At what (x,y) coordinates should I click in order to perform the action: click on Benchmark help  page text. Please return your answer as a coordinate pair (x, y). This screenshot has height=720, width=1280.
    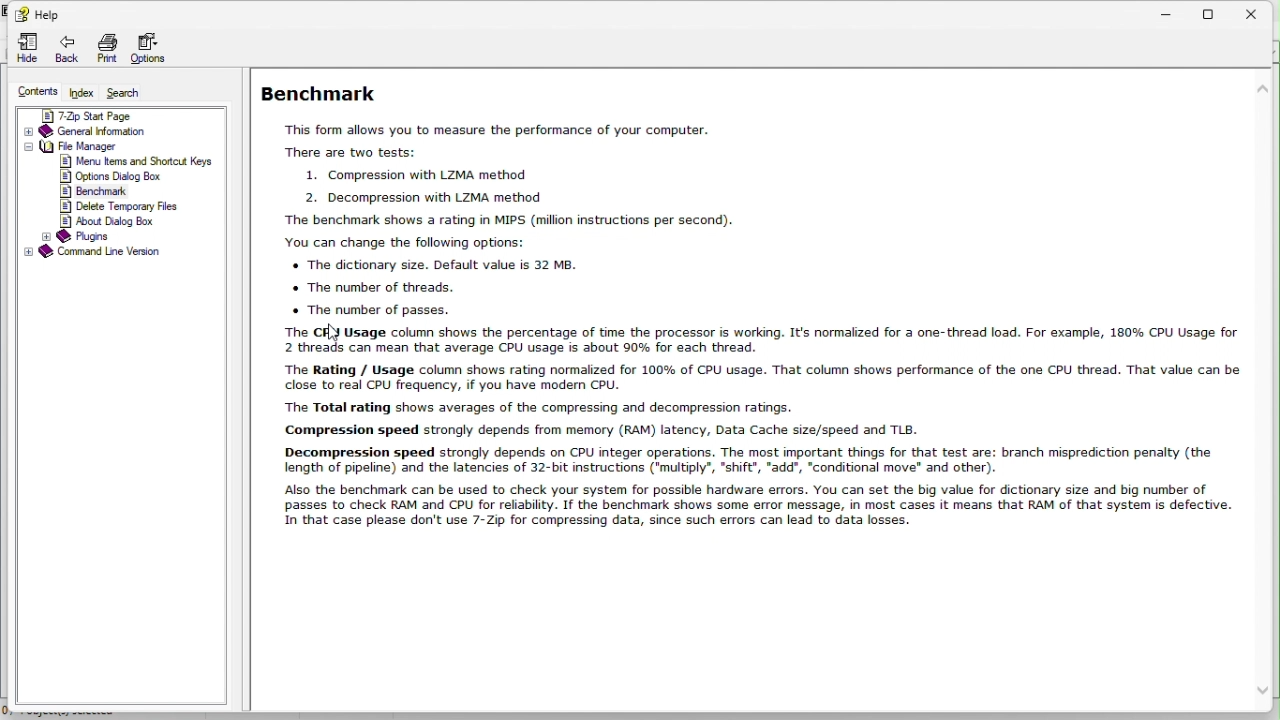
    Looking at the image, I should click on (767, 301).